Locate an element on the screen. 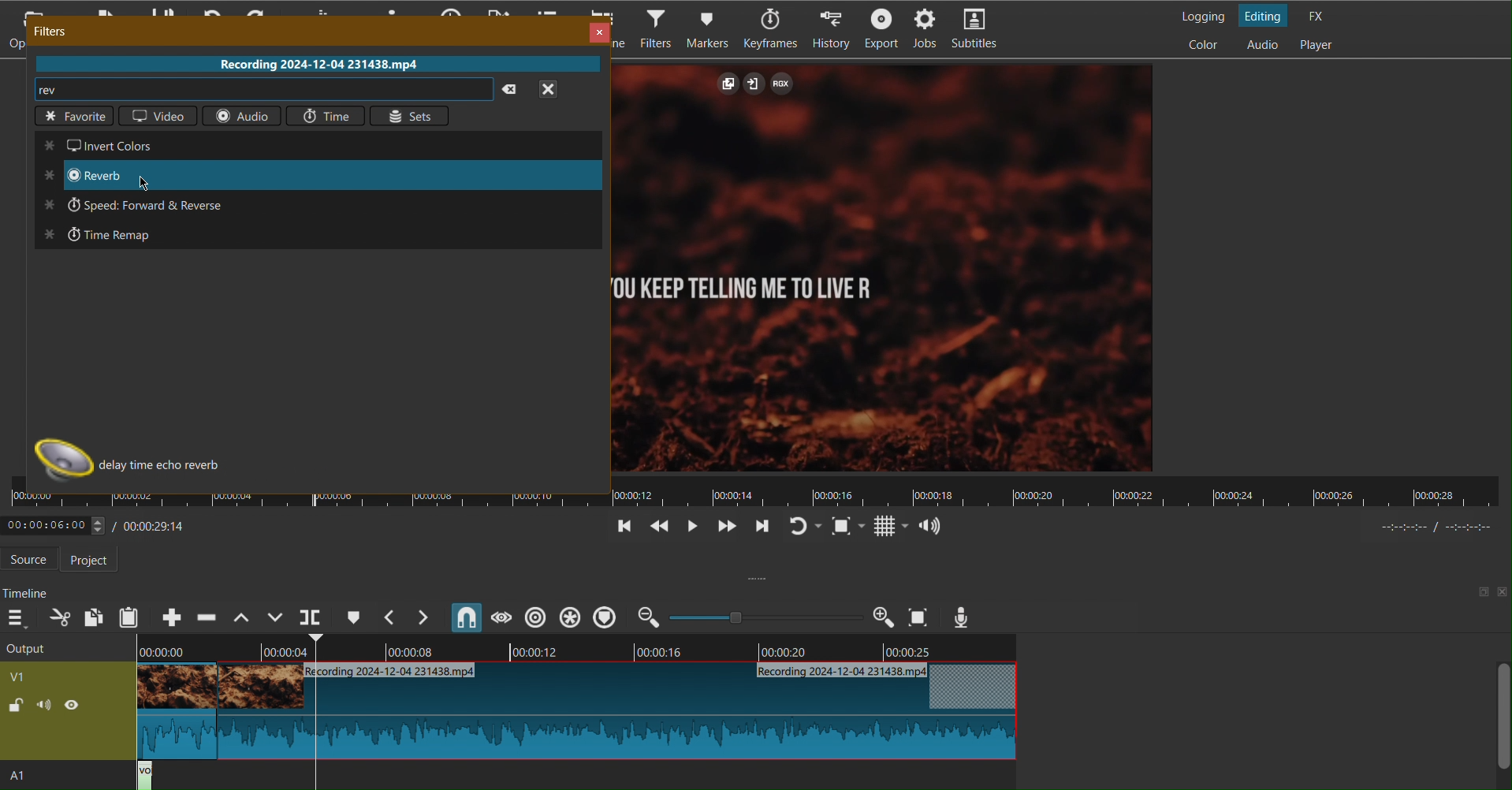 The image size is (1512, 790). close is located at coordinates (1503, 593).